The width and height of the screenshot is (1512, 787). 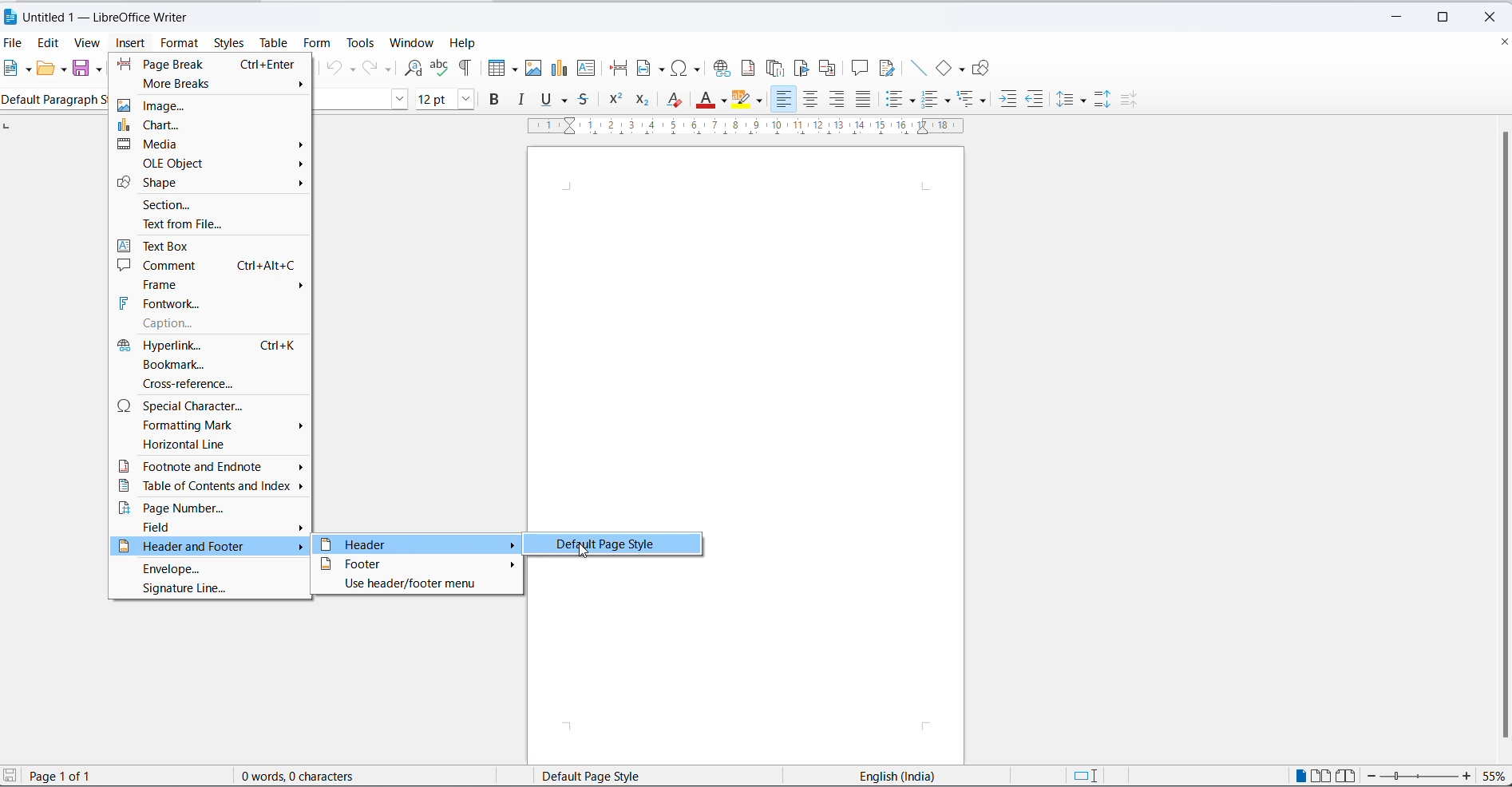 I want to click on formatting mark, so click(x=212, y=428).